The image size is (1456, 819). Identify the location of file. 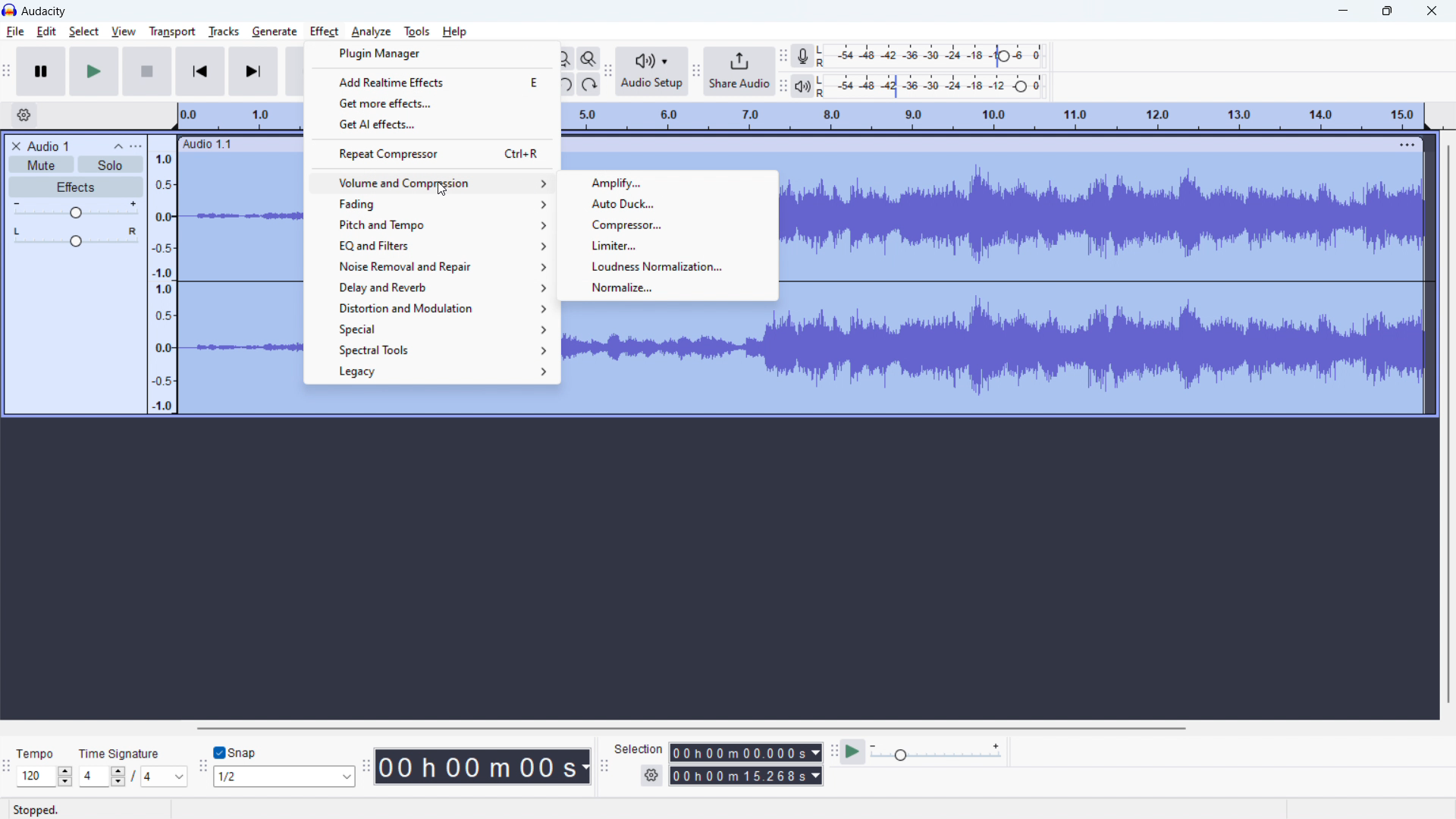
(14, 33).